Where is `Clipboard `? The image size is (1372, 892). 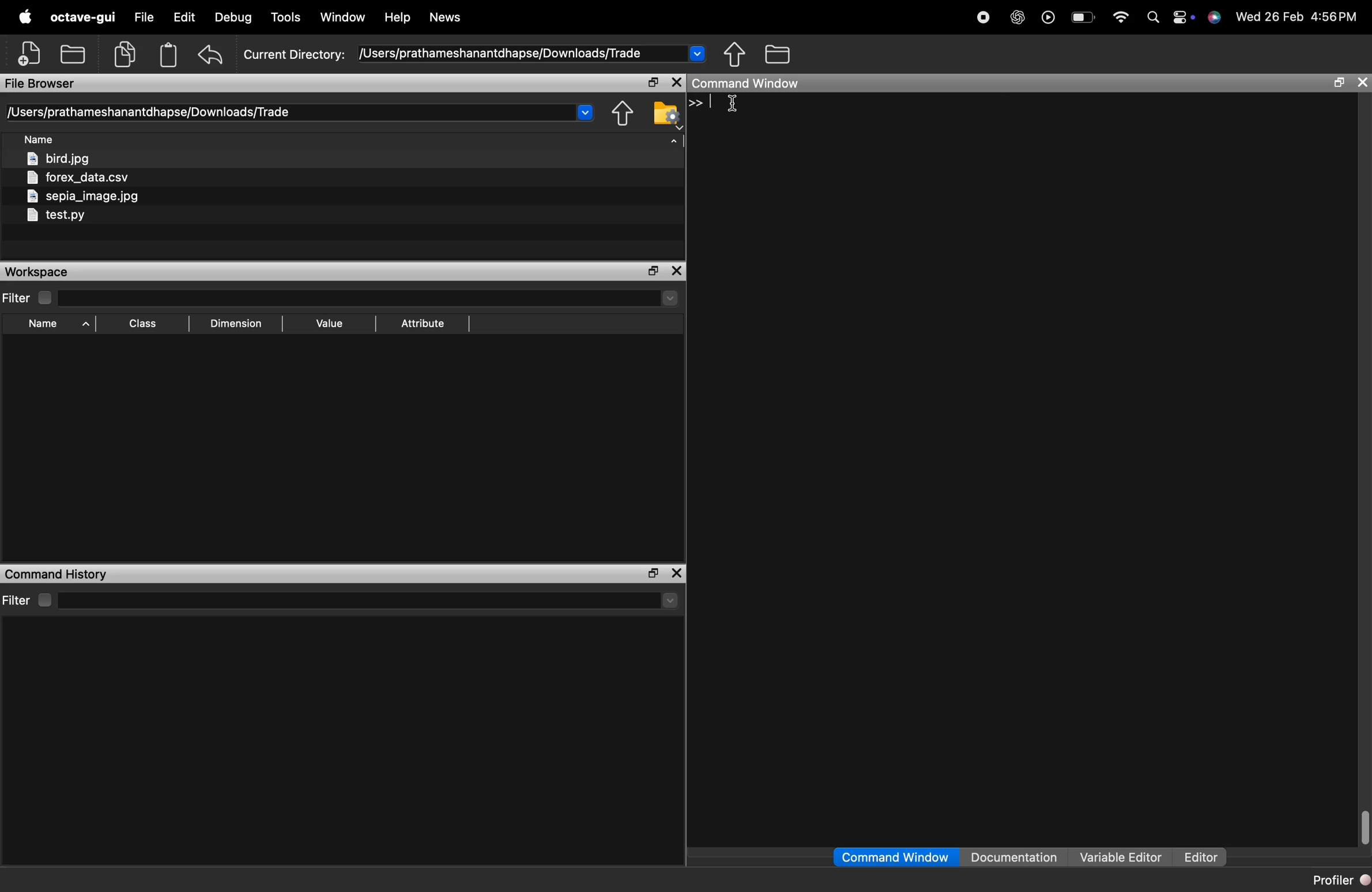
Clipboard  is located at coordinates (168, 55).